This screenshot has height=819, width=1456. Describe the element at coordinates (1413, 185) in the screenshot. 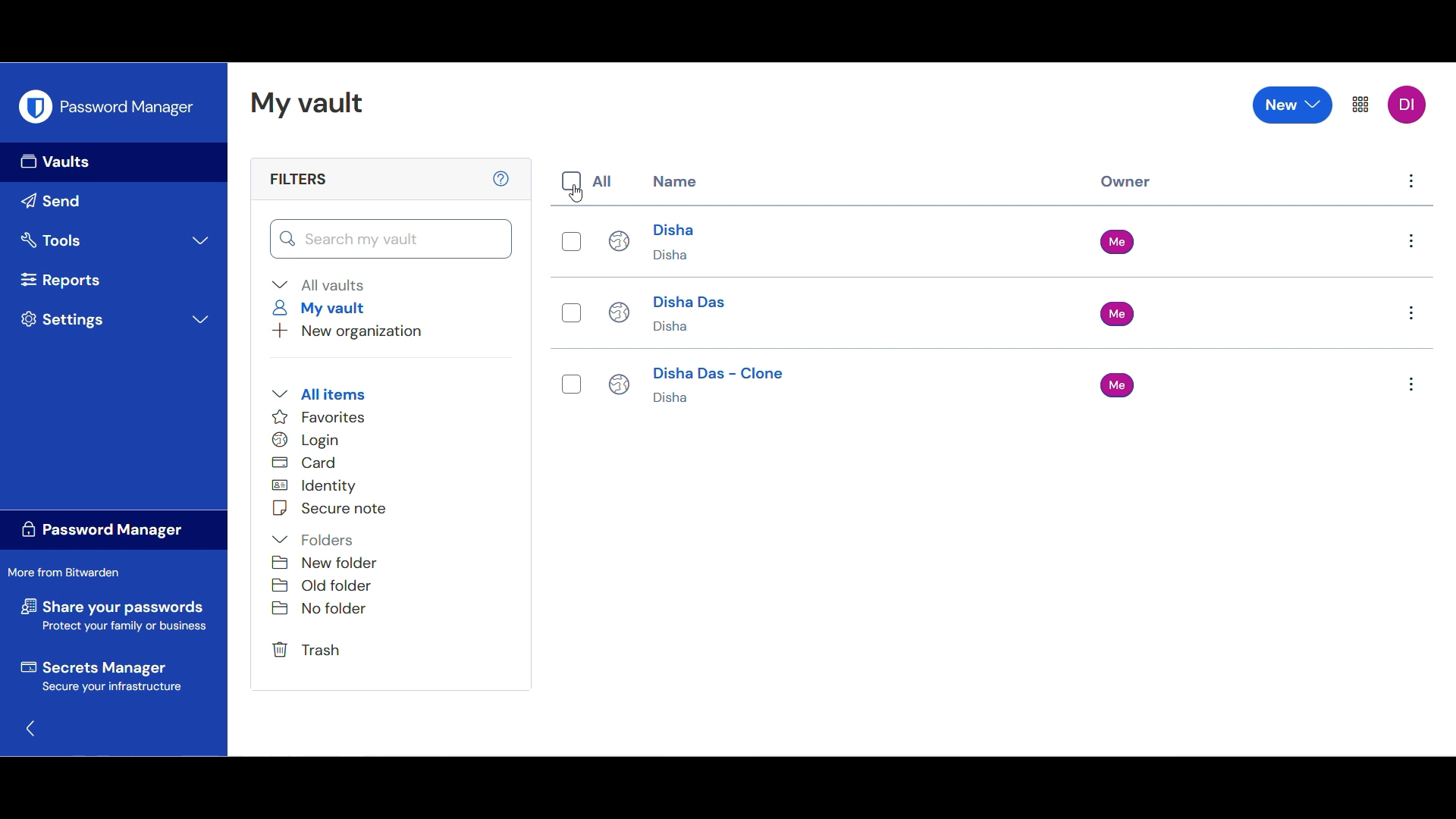

I see `Settings for each item respectively` at that location.